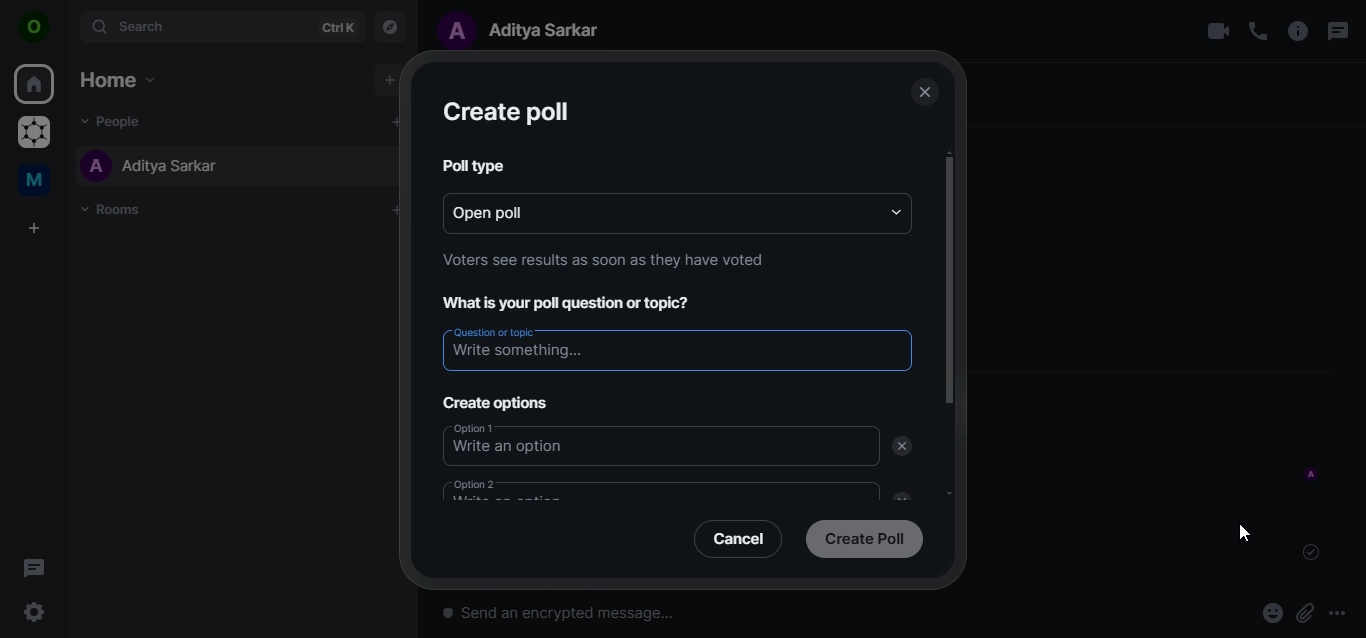 Image resolution: width=1366 pixels, height=638 pixels. I want to click on cursor, so click(1246, 533).